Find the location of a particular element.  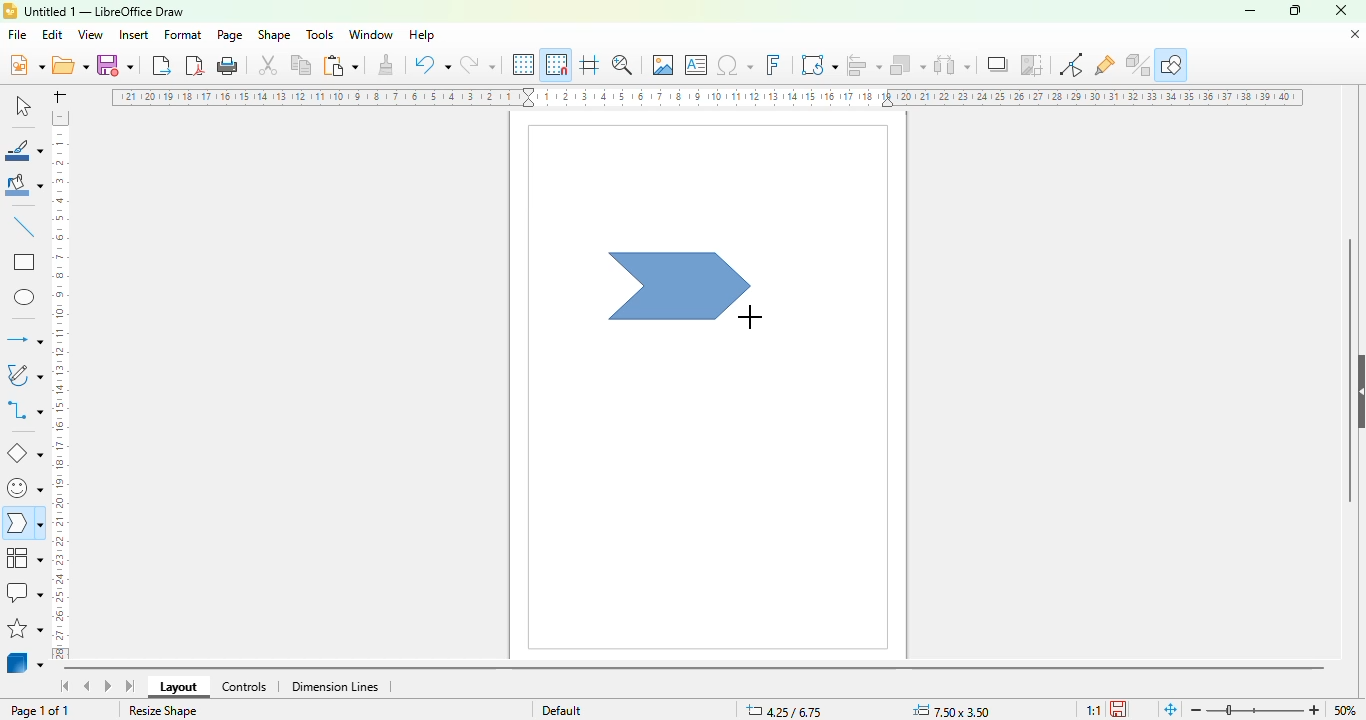

new is located at coordinates (26, 64).